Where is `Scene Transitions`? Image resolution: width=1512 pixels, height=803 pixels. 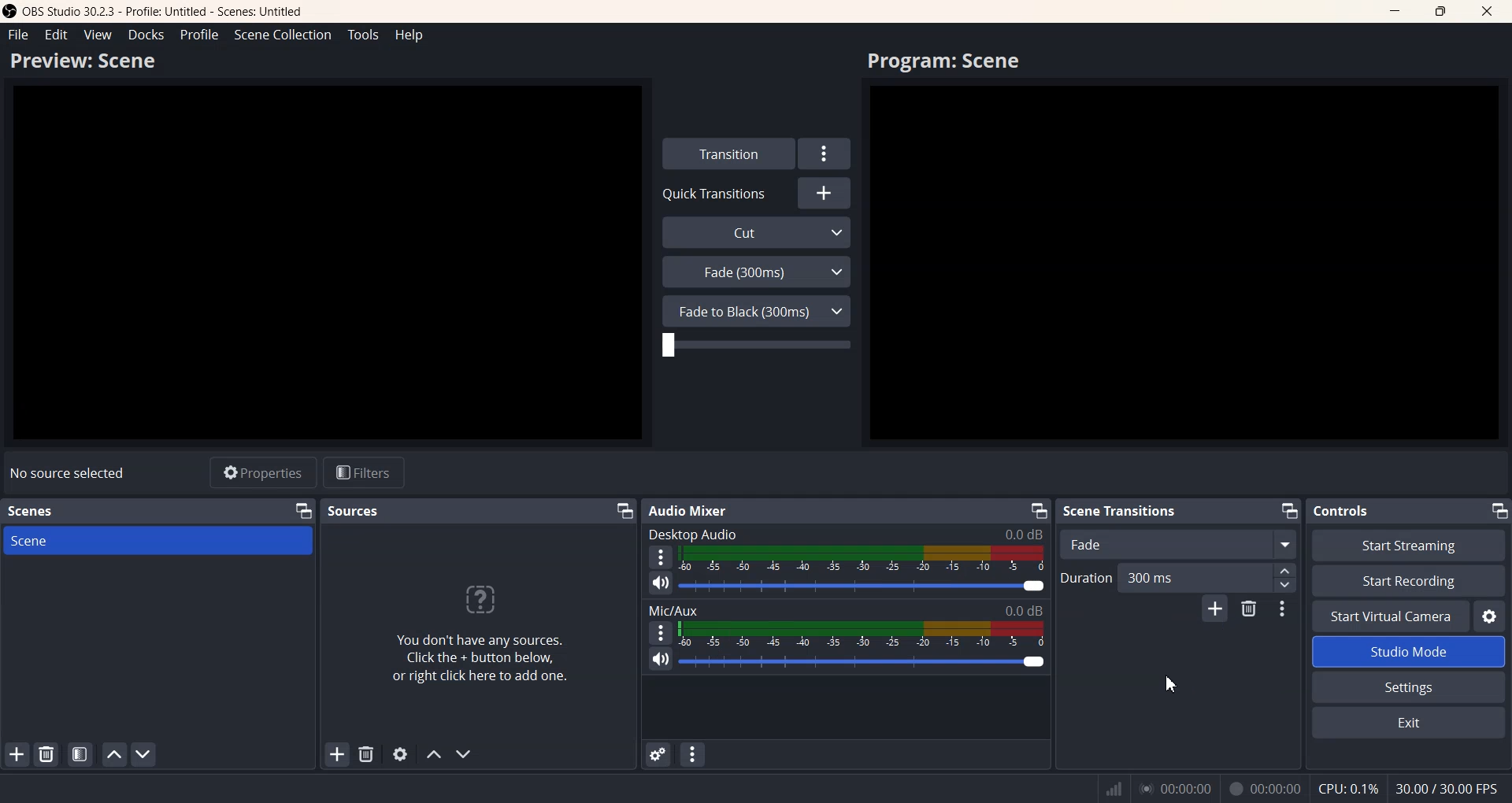
Scene Transitions is located at coordinates (1128, 511).